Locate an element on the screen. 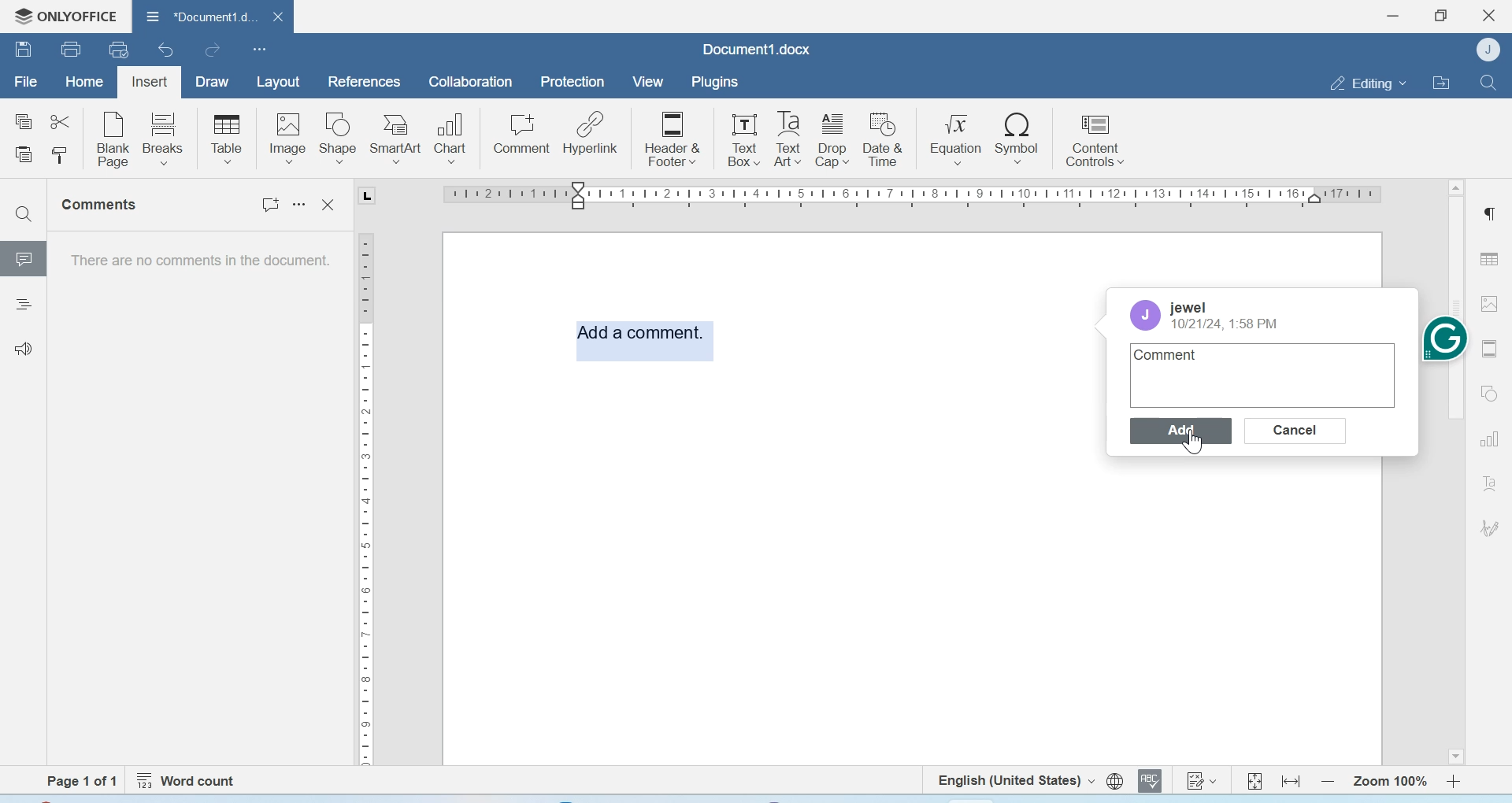  Fit to width is located at coordinates (1292, 781).